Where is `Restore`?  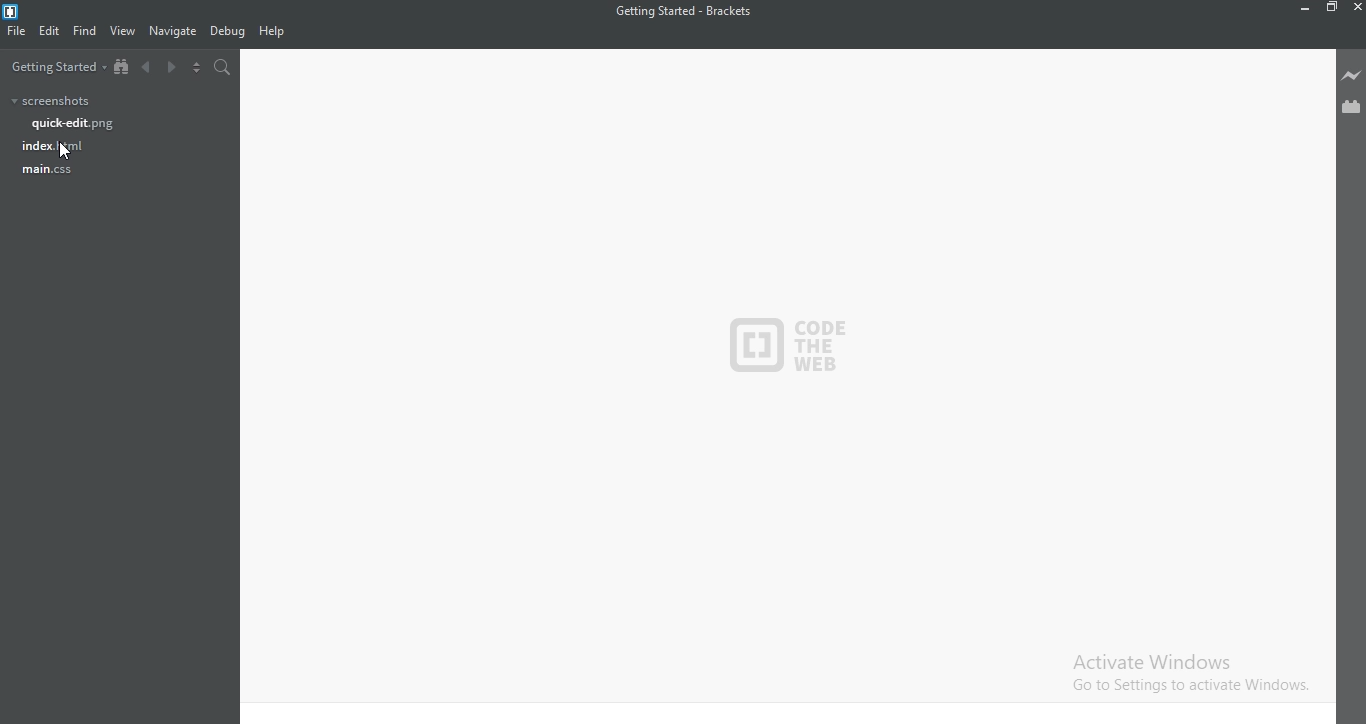 Restore is located at coordinates (1331, 8).